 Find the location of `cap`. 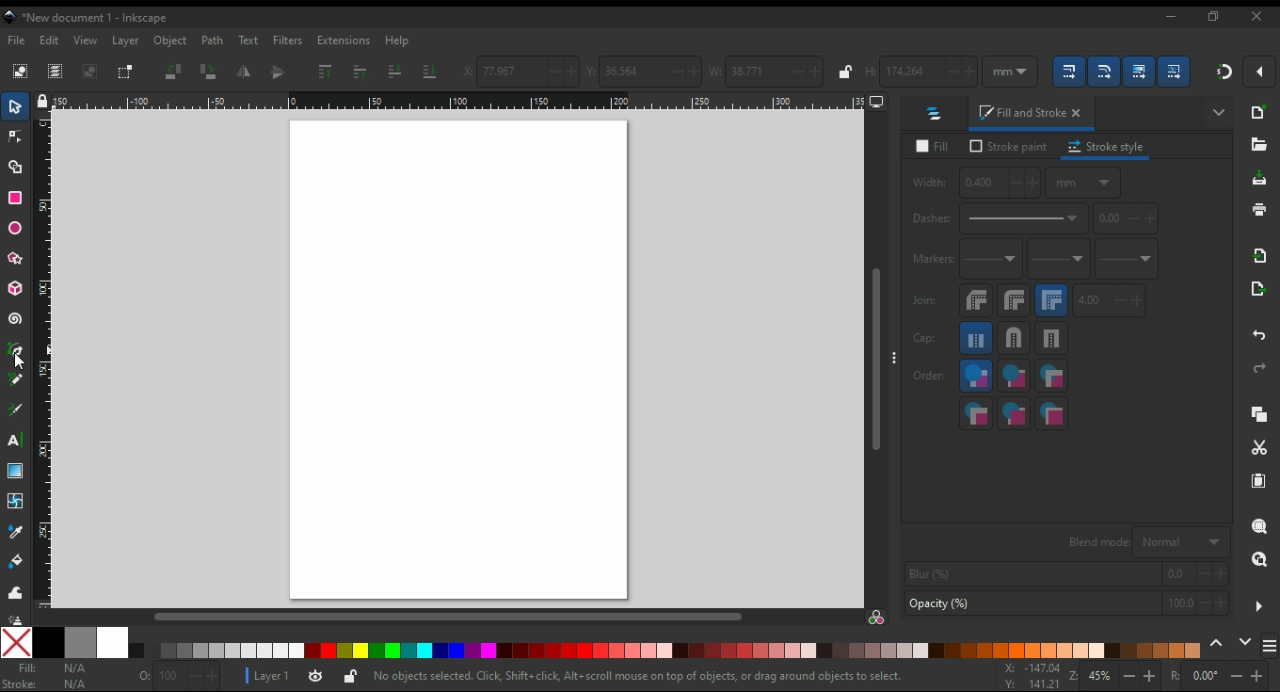

cap is located at coordinates (929, 338).